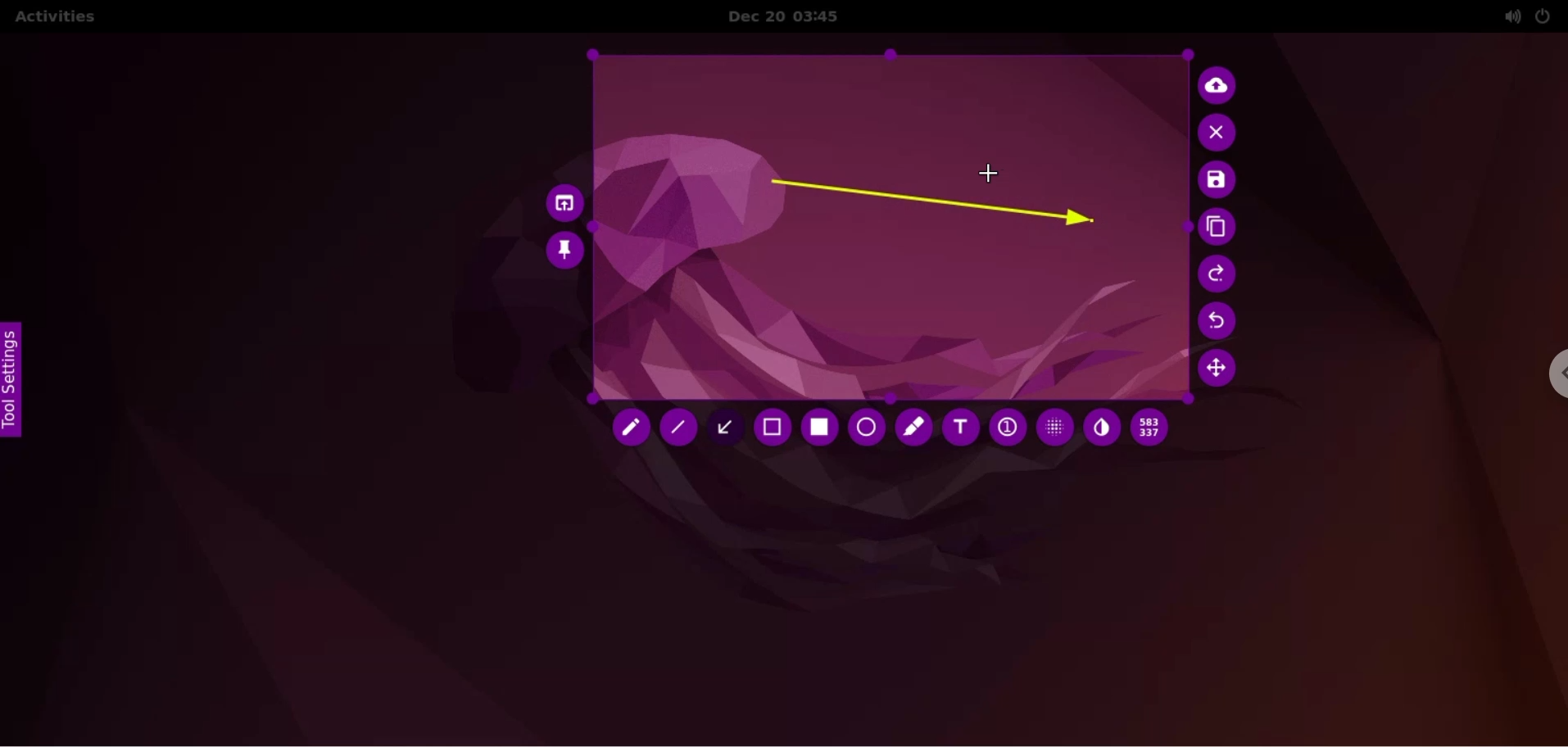 The width and height of the screenshot is (1568, 747). I want to click on redo, so click(1220, 274).